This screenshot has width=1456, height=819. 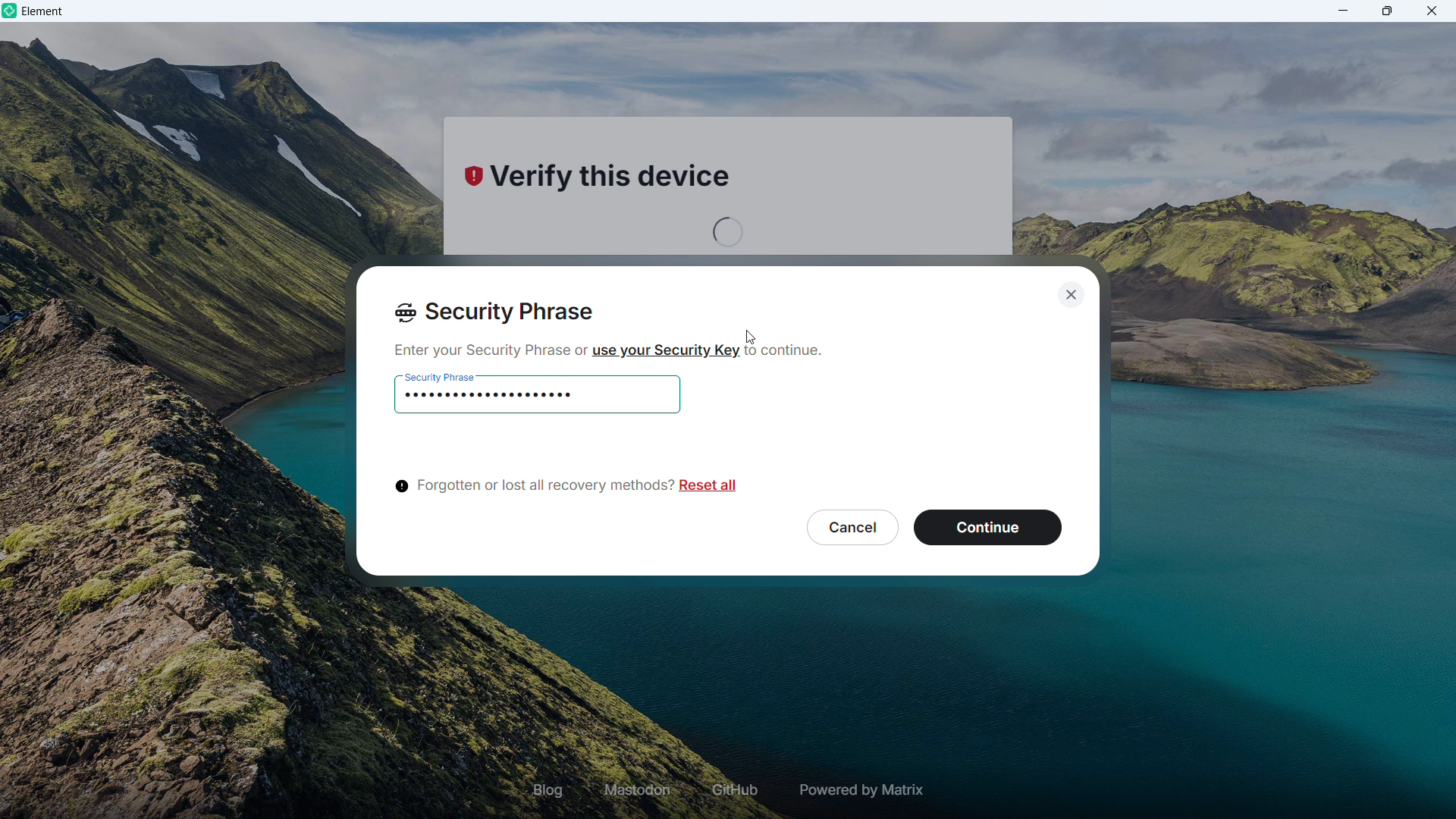 What do you see at coordinates (495, 313) in the screenshot?
I see `Security phrase ` at bounding box center [495, 313].